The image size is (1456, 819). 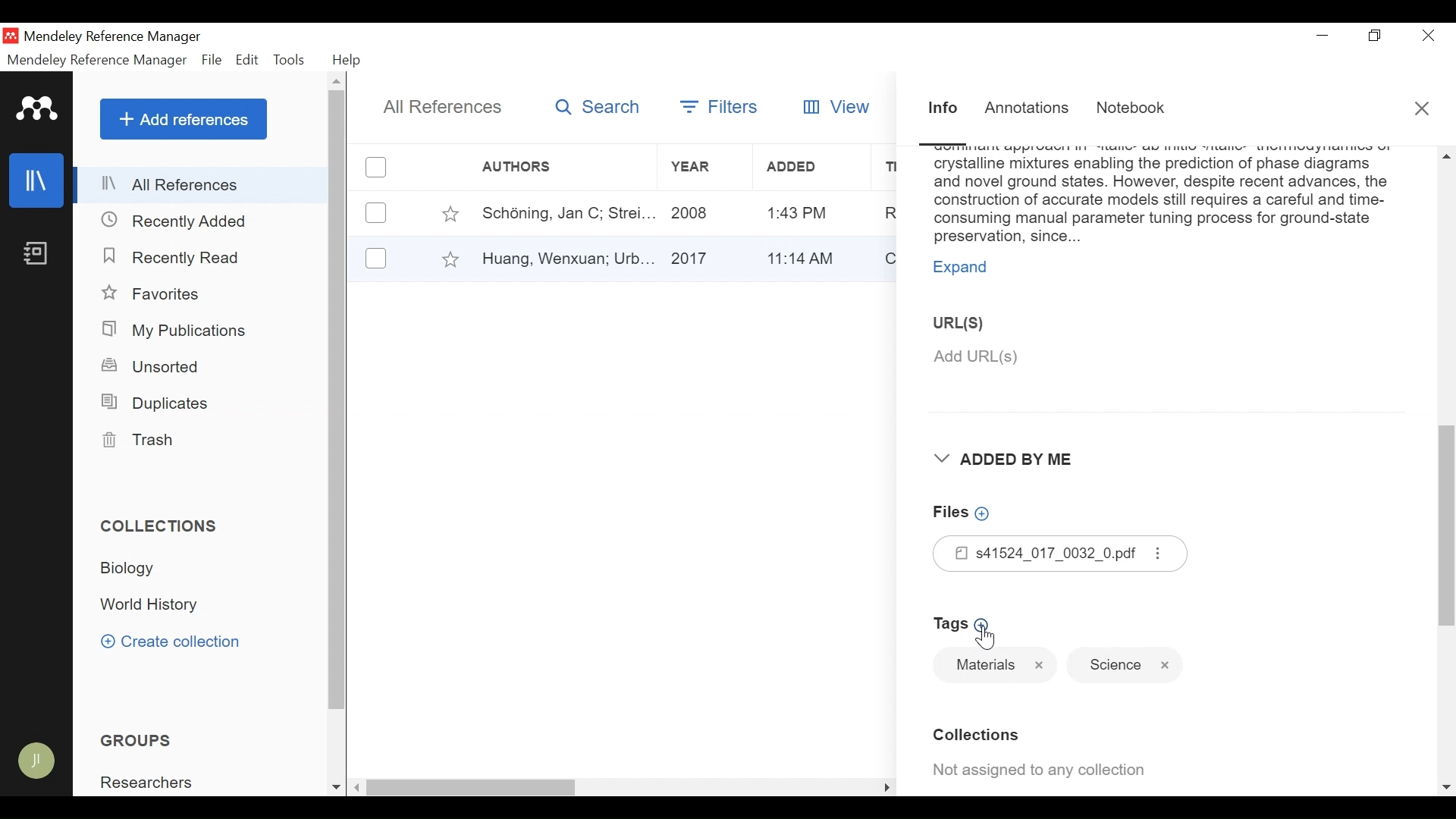 I want to click on Collection, so click(x=152, y=606).